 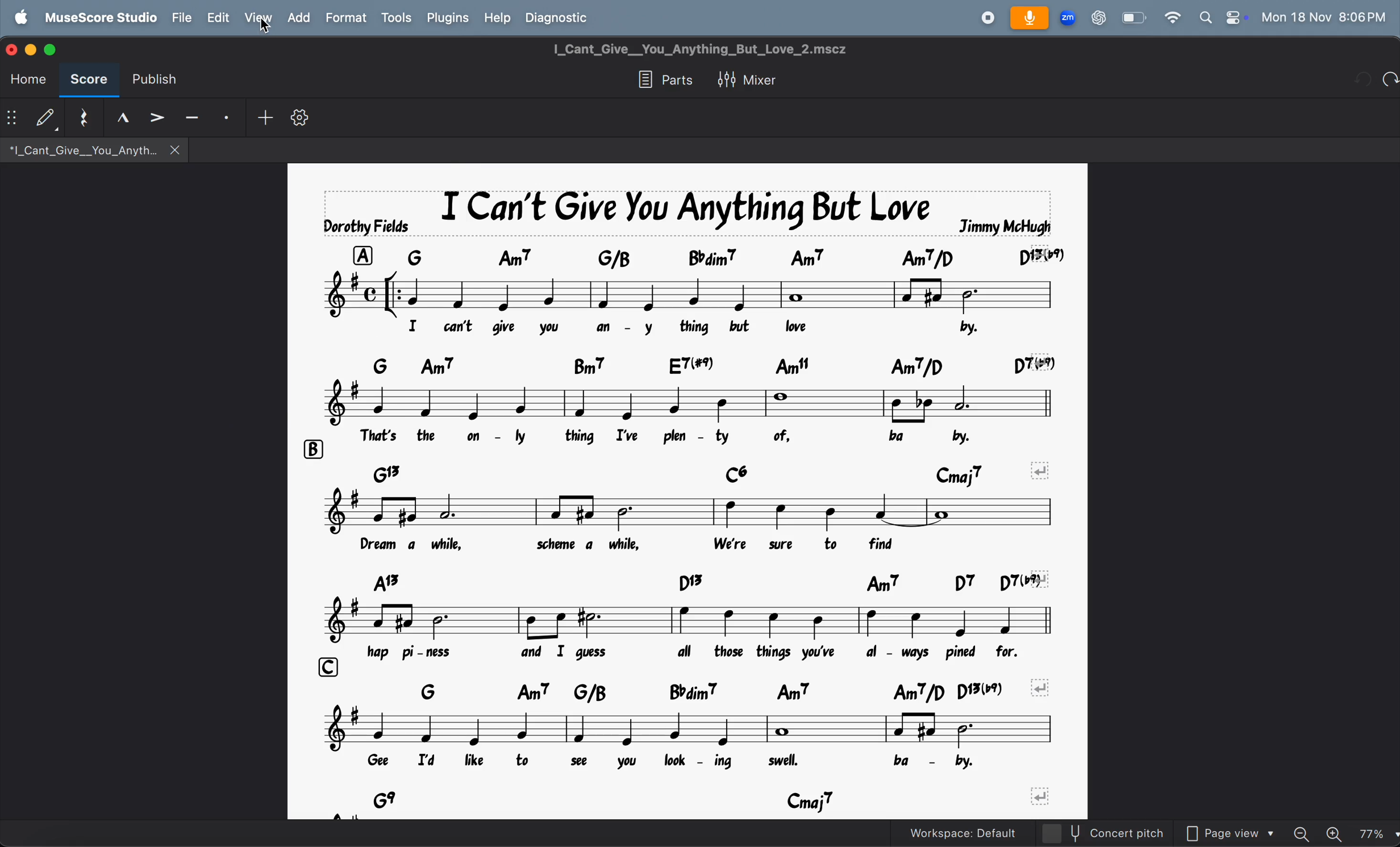 I want to click on lyrics, so click(x=681, y=545).